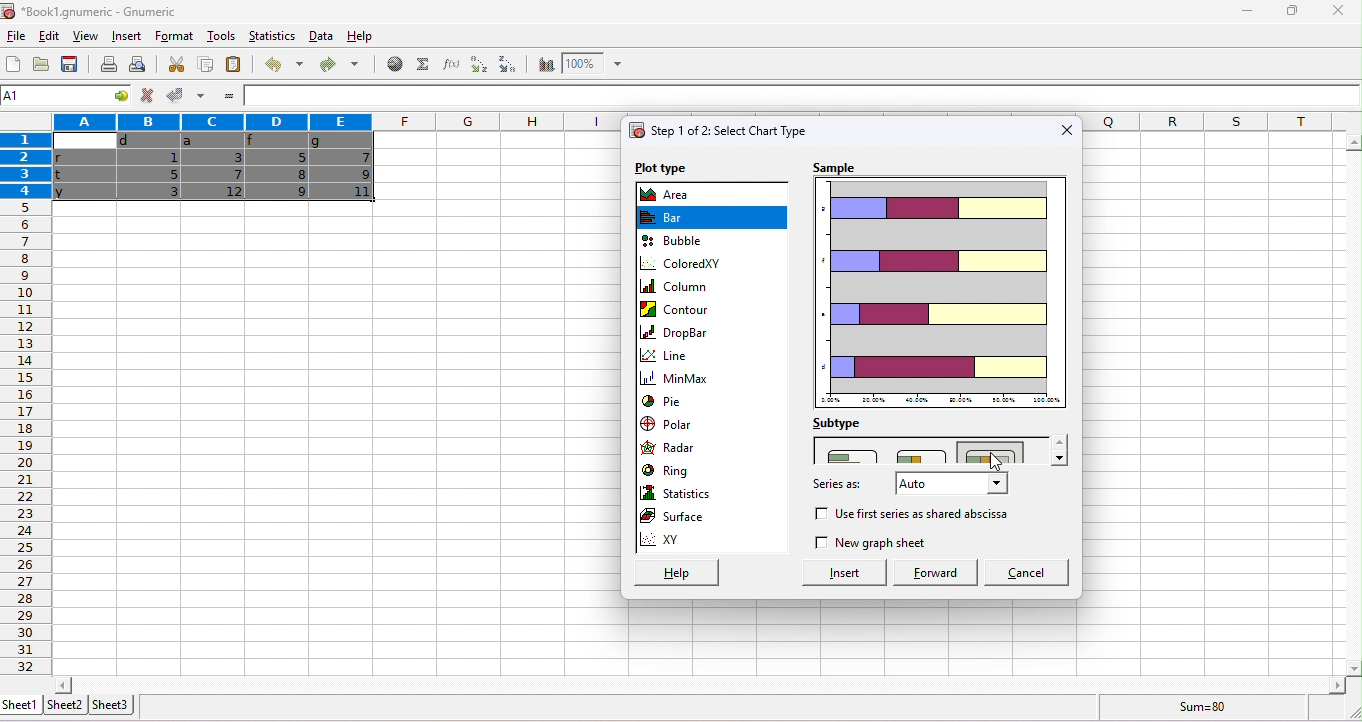 This screenshot has width=1362, height=722. Describe the element at coordinates (840, 424) in the screenshot. I see `subtype` at that location.